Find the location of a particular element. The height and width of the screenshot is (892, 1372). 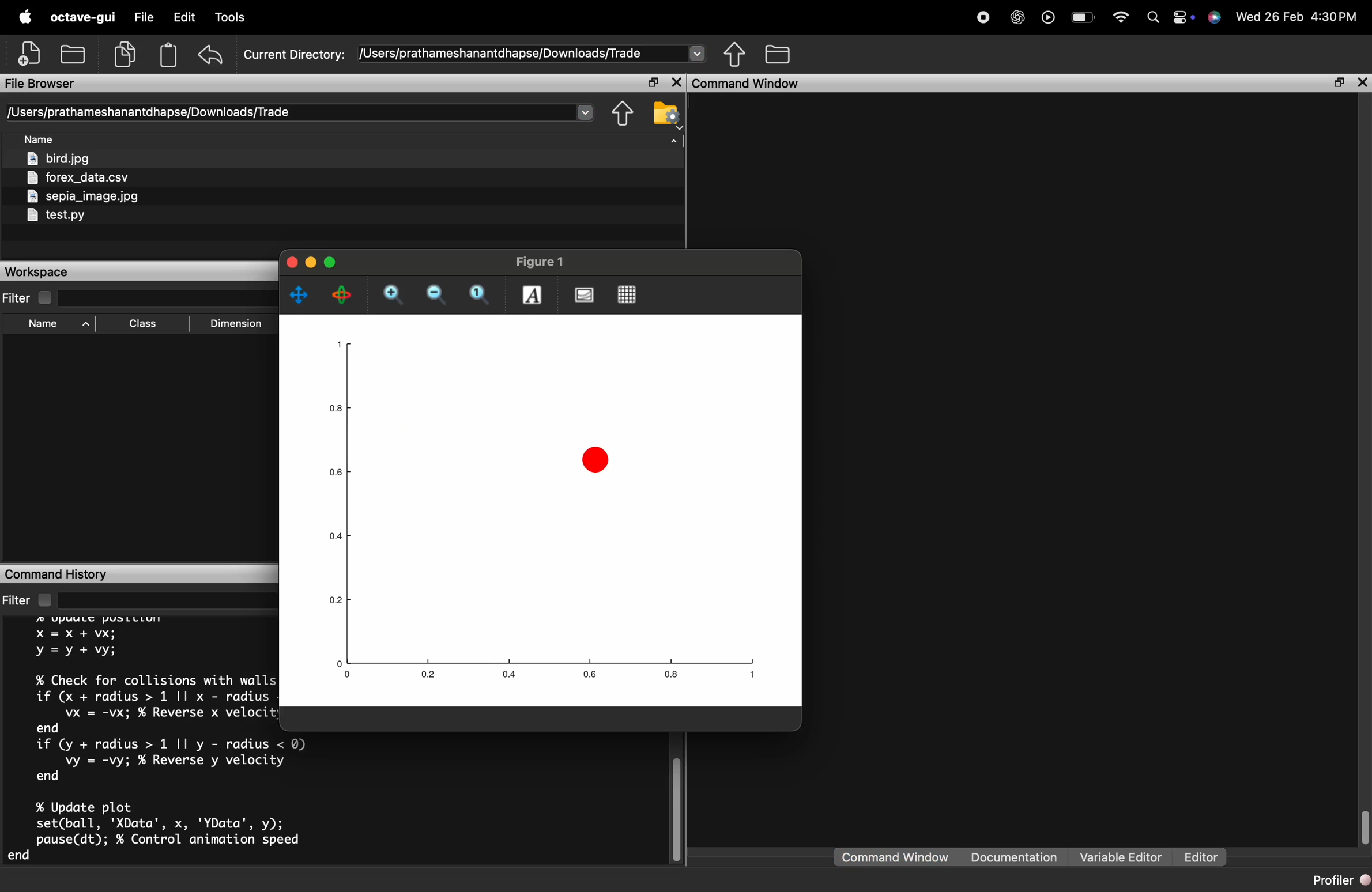

Name ^ is located at coordinates (59, 324).